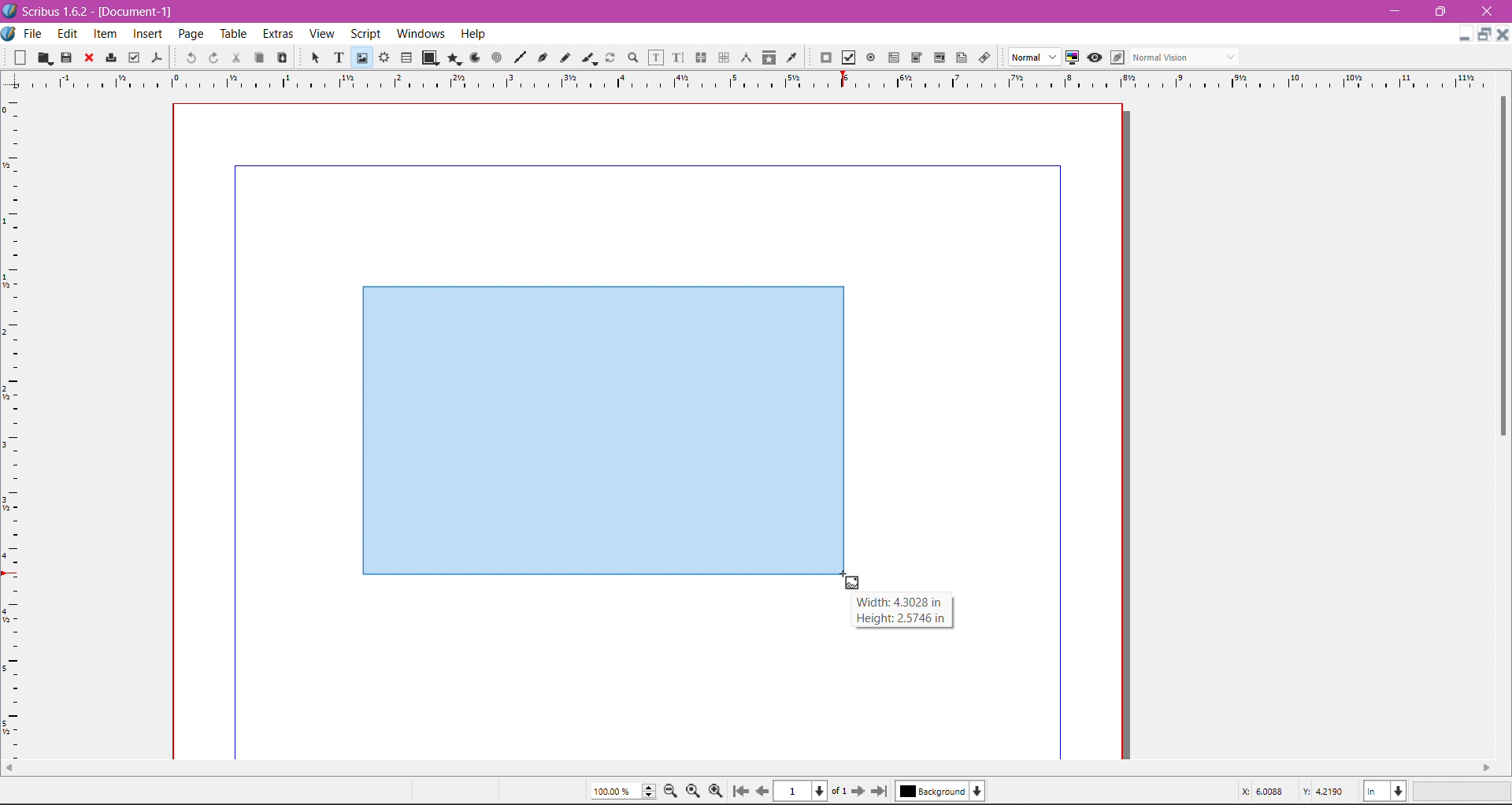 The width and height of the screenshot is (1512, 805). What do you see at coordinates (13, 423) in the screenshot?
I see `Vertical Ruler` at bounding box center [13, 423].